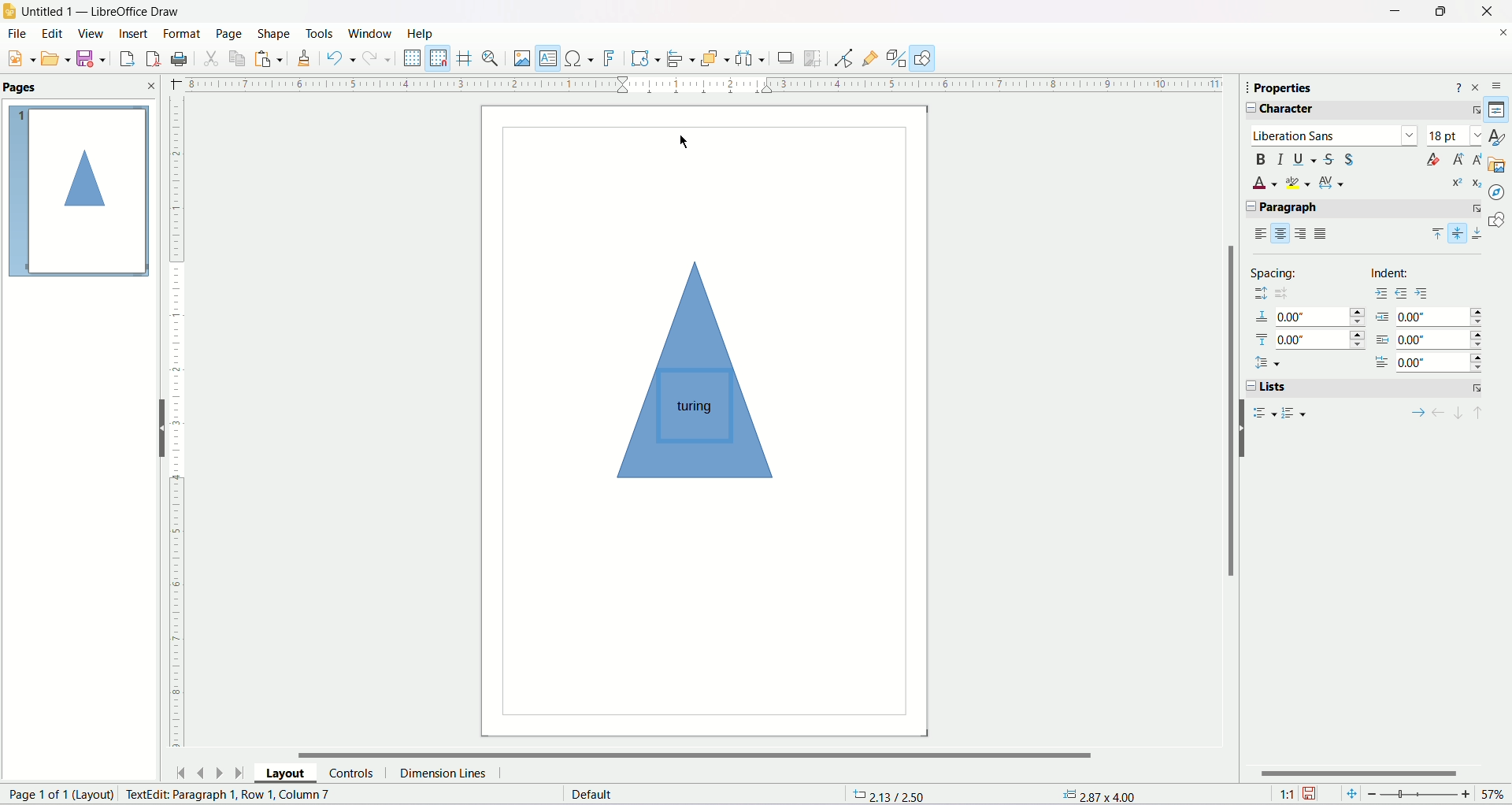  Describe the element at coordinates (90, 57) in the screenshot. I see `Save` at that location.